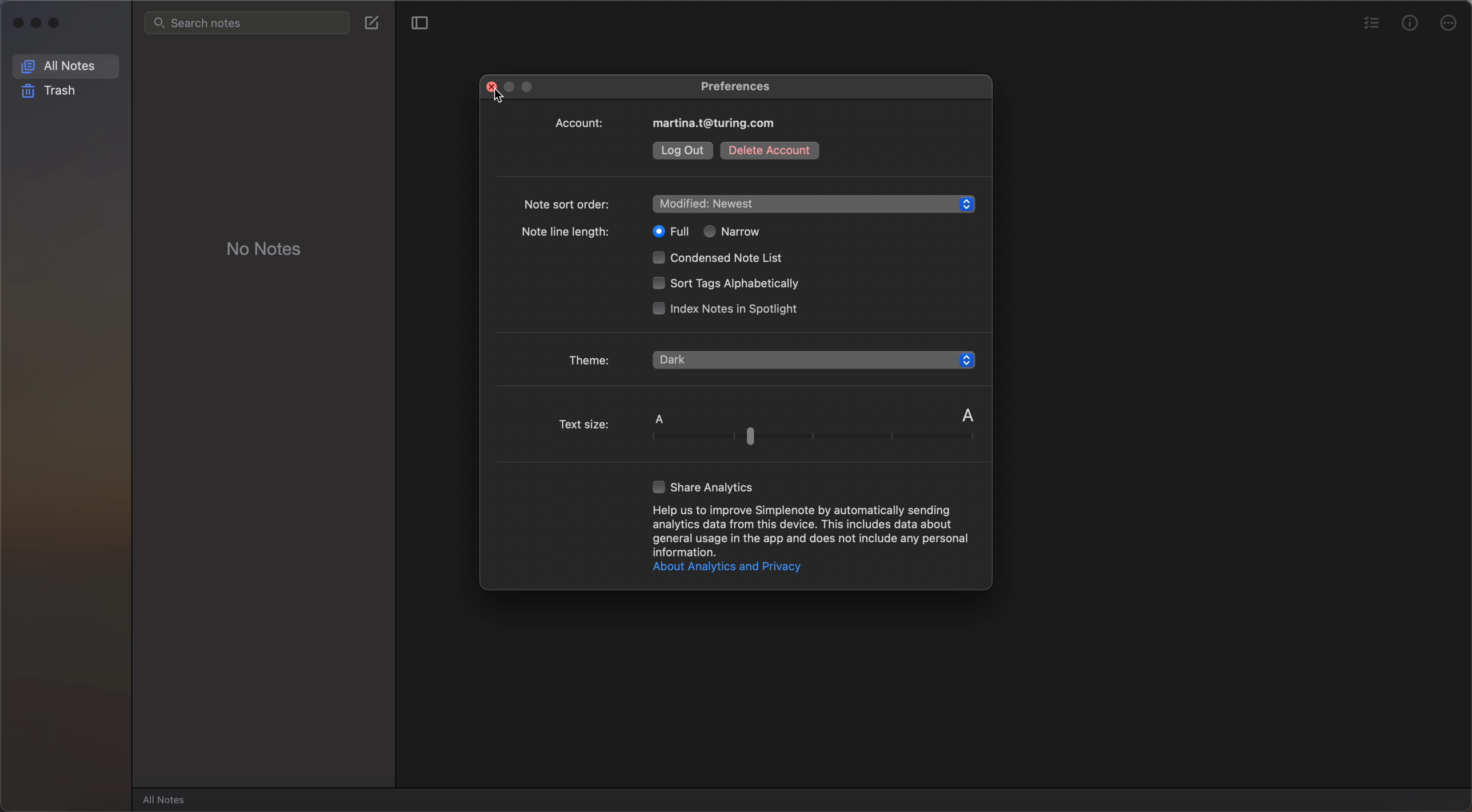  What do you see at coordinates (726, 309) in the screenshot?
I see `index notes in spotlight` at bounding box center [726, 309].